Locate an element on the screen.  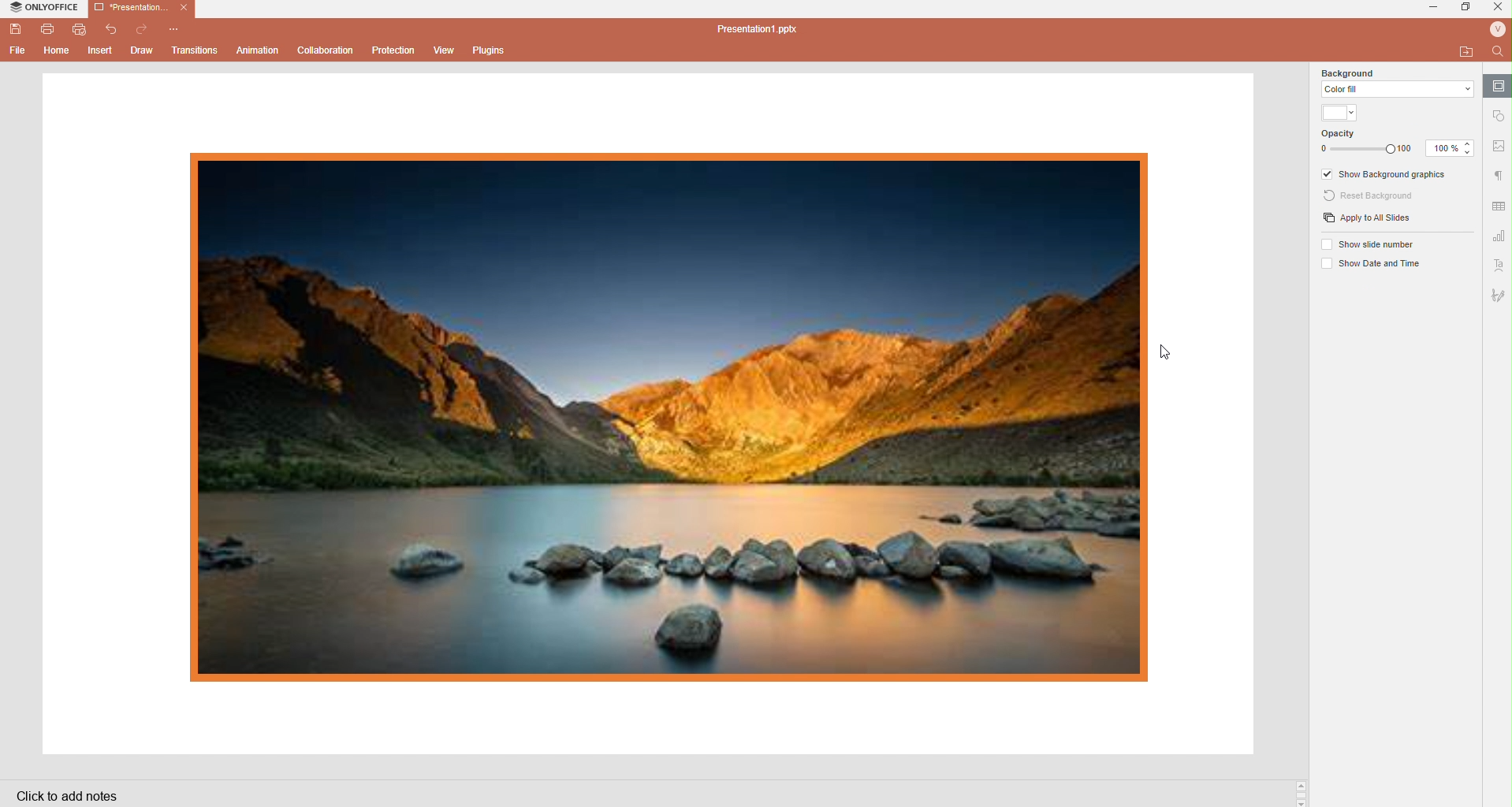
Protection is located at coordinates (396, 50).